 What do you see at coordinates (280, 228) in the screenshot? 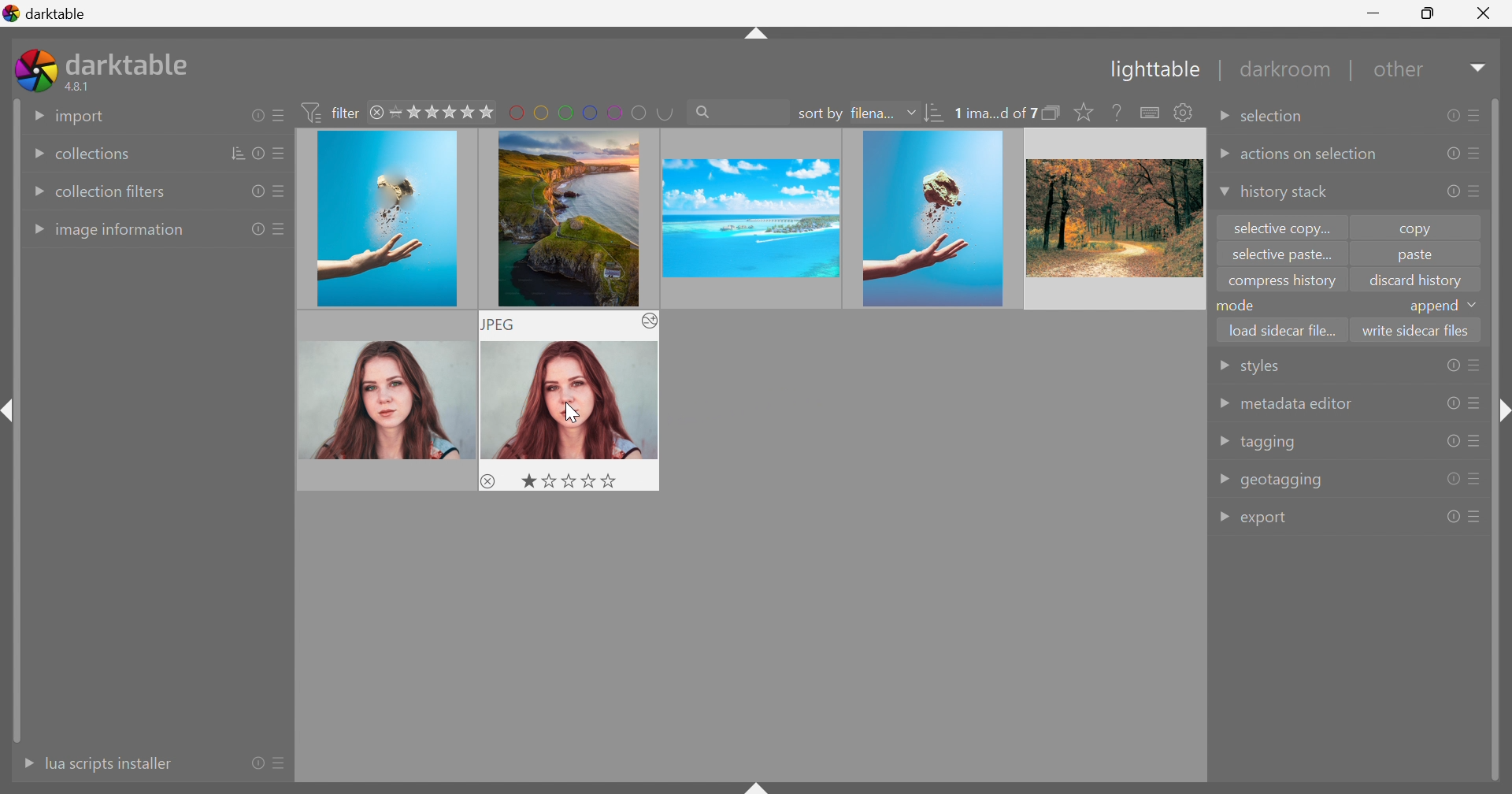
I see `presets` at bounding box center [280, 228].